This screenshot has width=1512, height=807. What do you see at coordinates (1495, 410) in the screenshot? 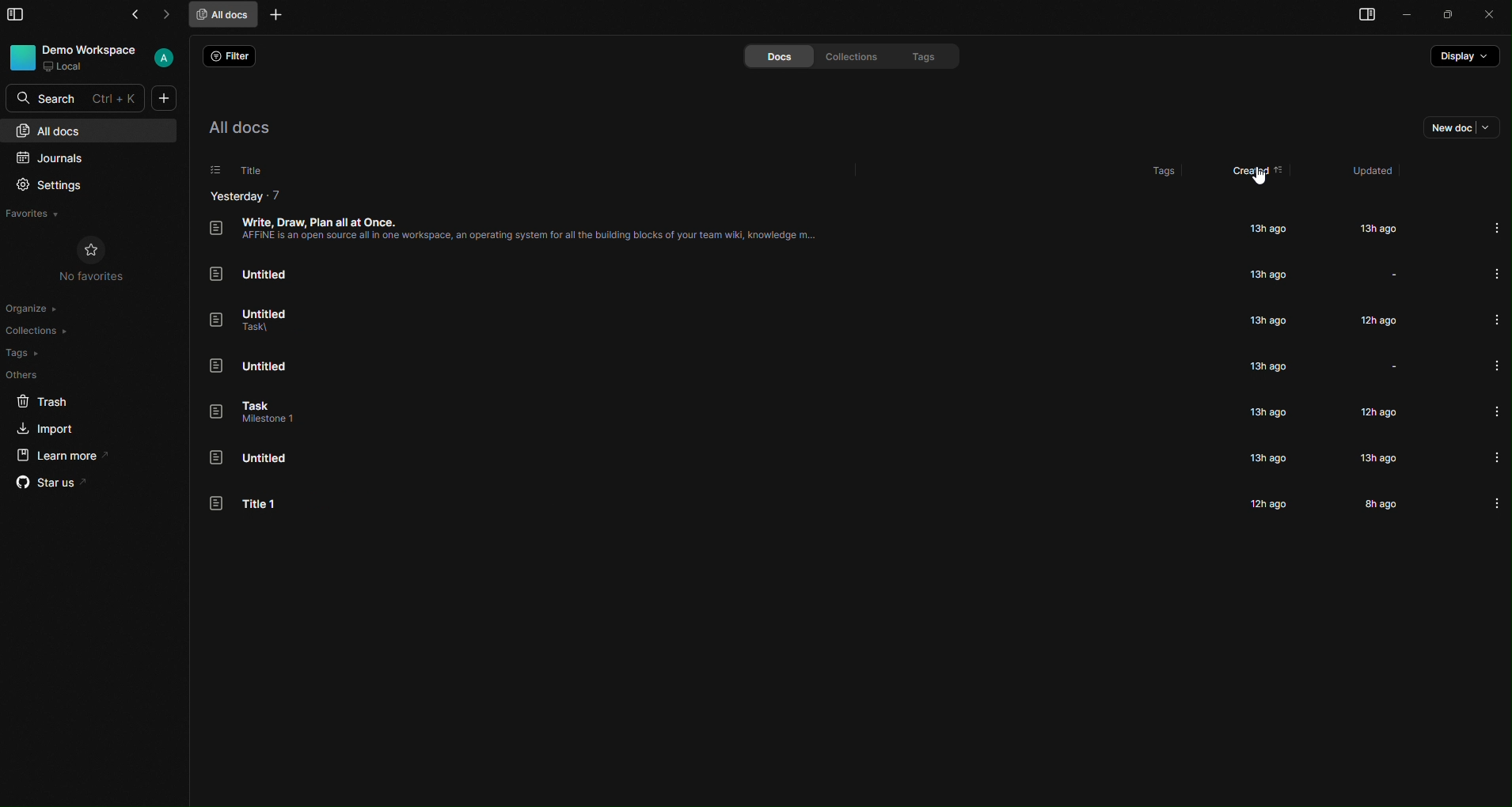
I see `more info` at bounding box center [1495, 410].